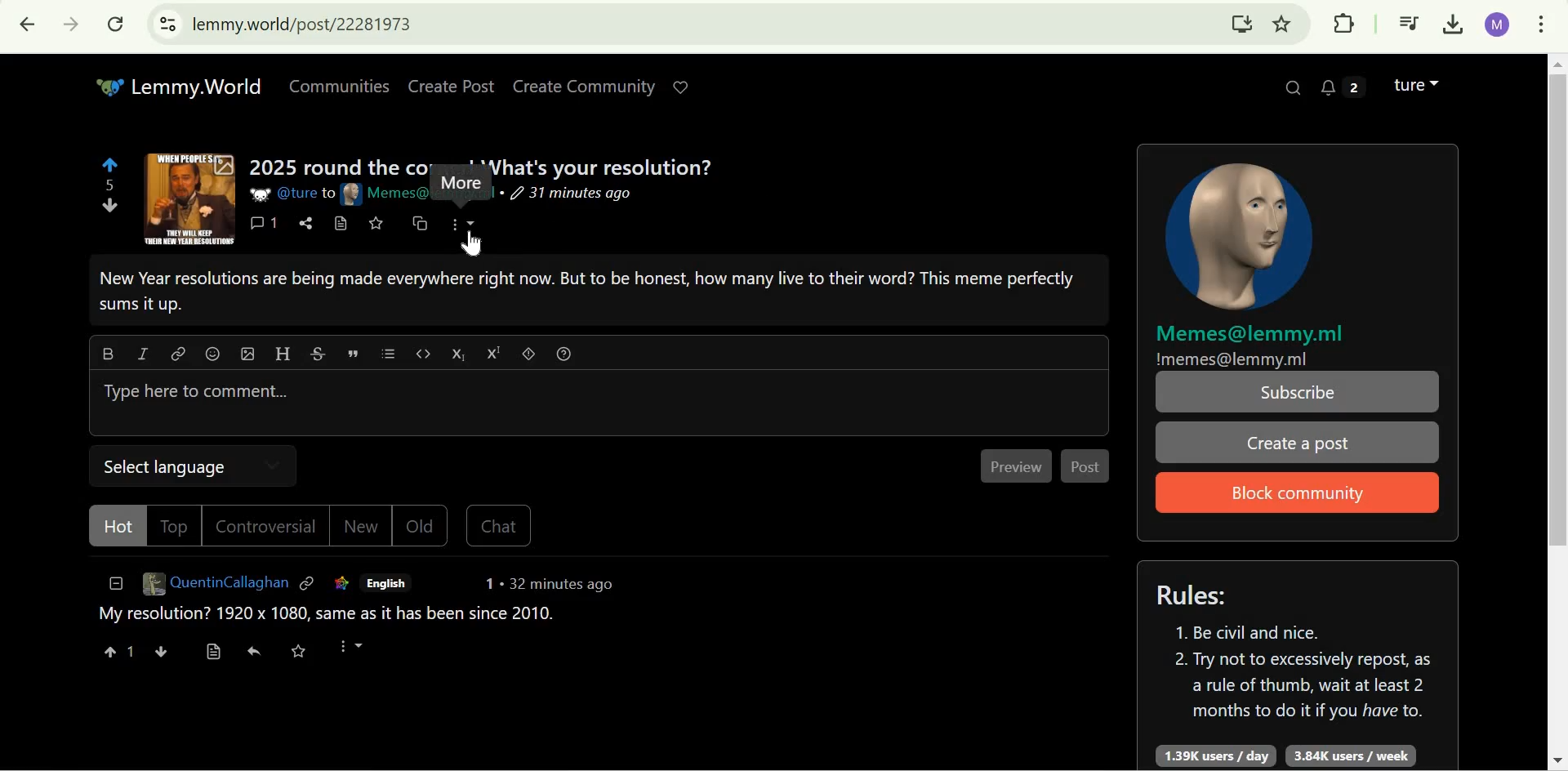  What do you see at coordinates (583, 87) in the screenshot?
I see `Create Community` at bounding box center [583, 87].